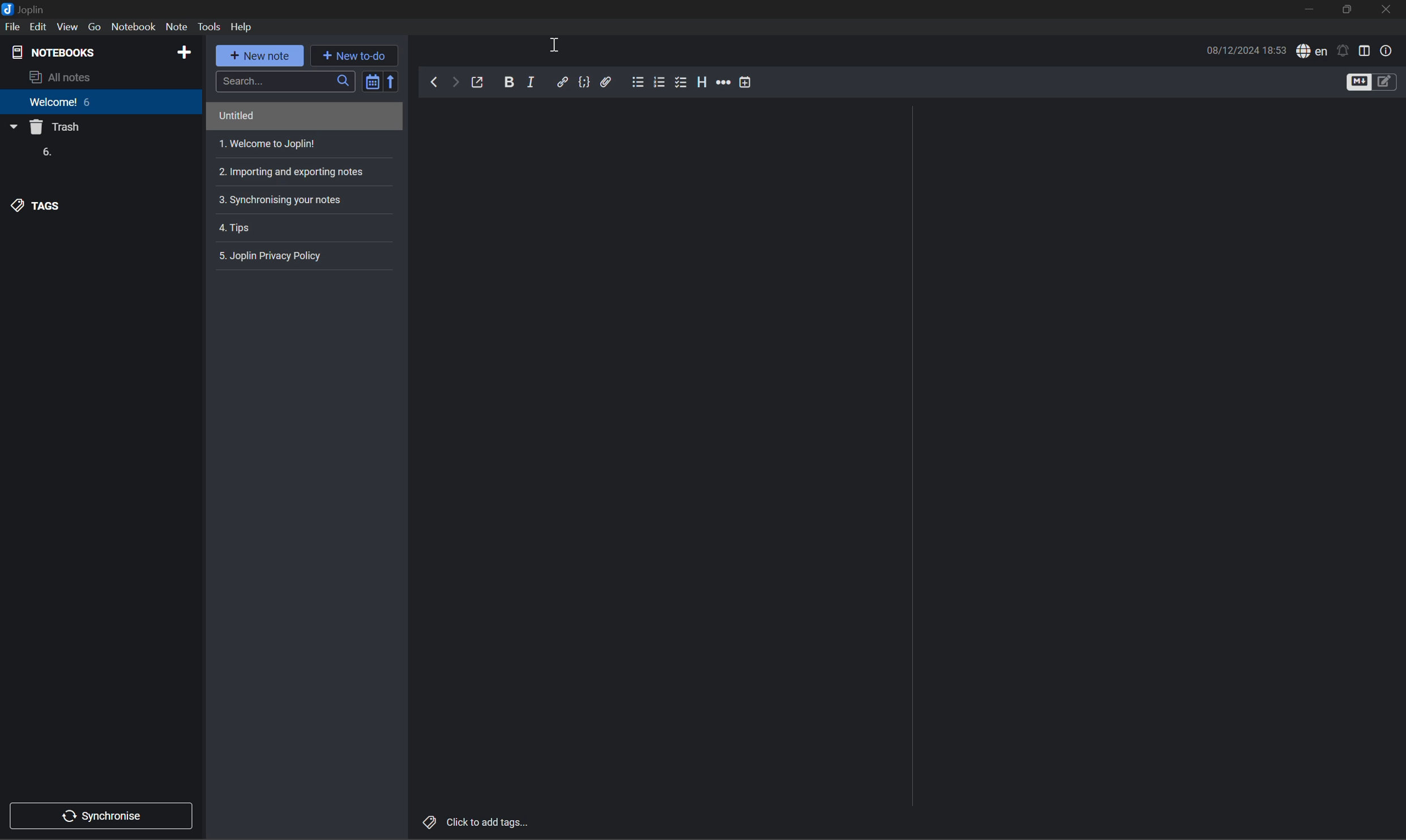 This screenshot has height=840, width=1406. Describe the element at coordinates (608, 82) in the screenshot. I see `Attach file` at that location.